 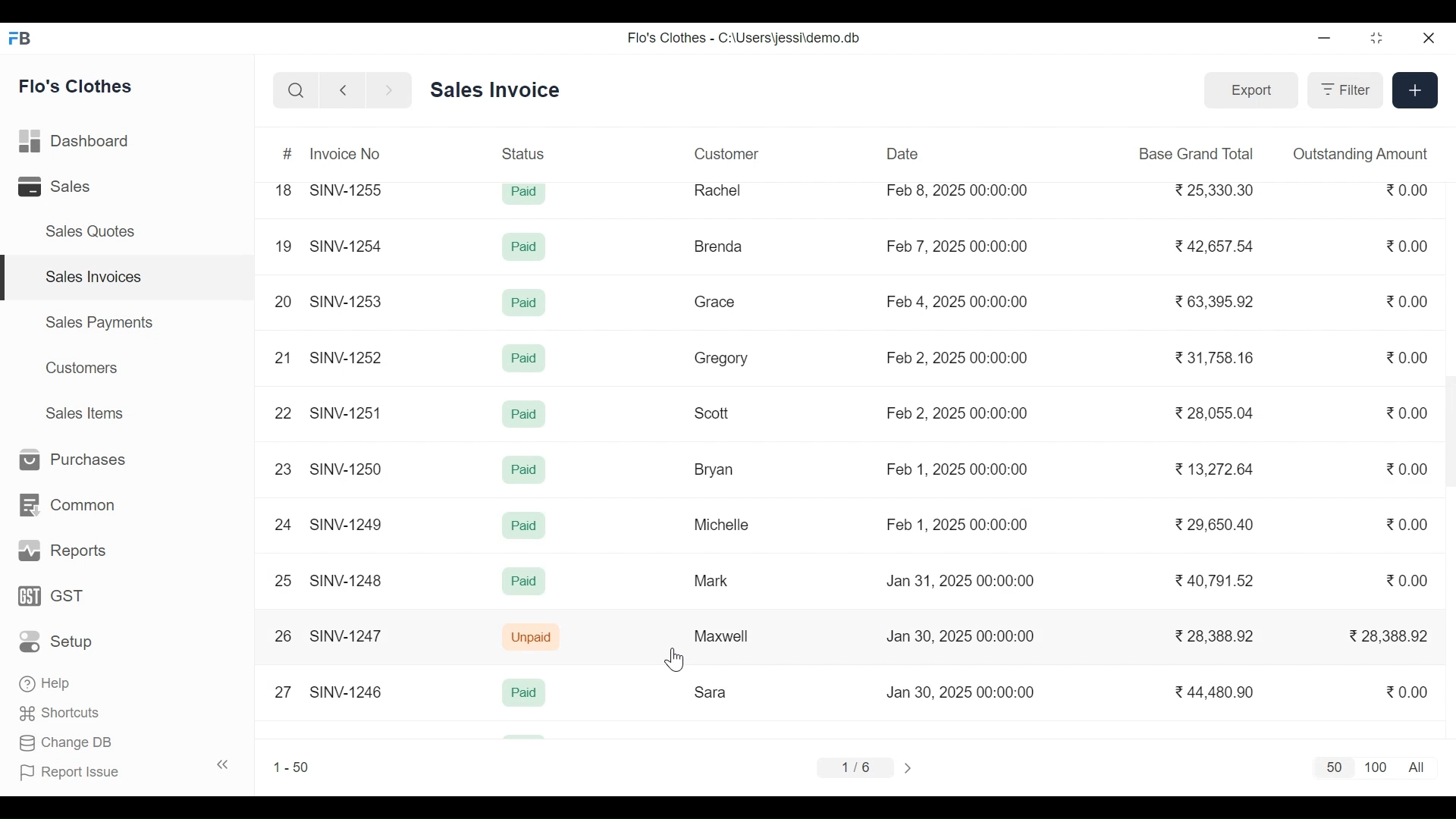 What do you see at coordinates (963, 692) in the screenshot?
I see `Jan 30, 2025 00:00:00` at bounding box center [963, 692].